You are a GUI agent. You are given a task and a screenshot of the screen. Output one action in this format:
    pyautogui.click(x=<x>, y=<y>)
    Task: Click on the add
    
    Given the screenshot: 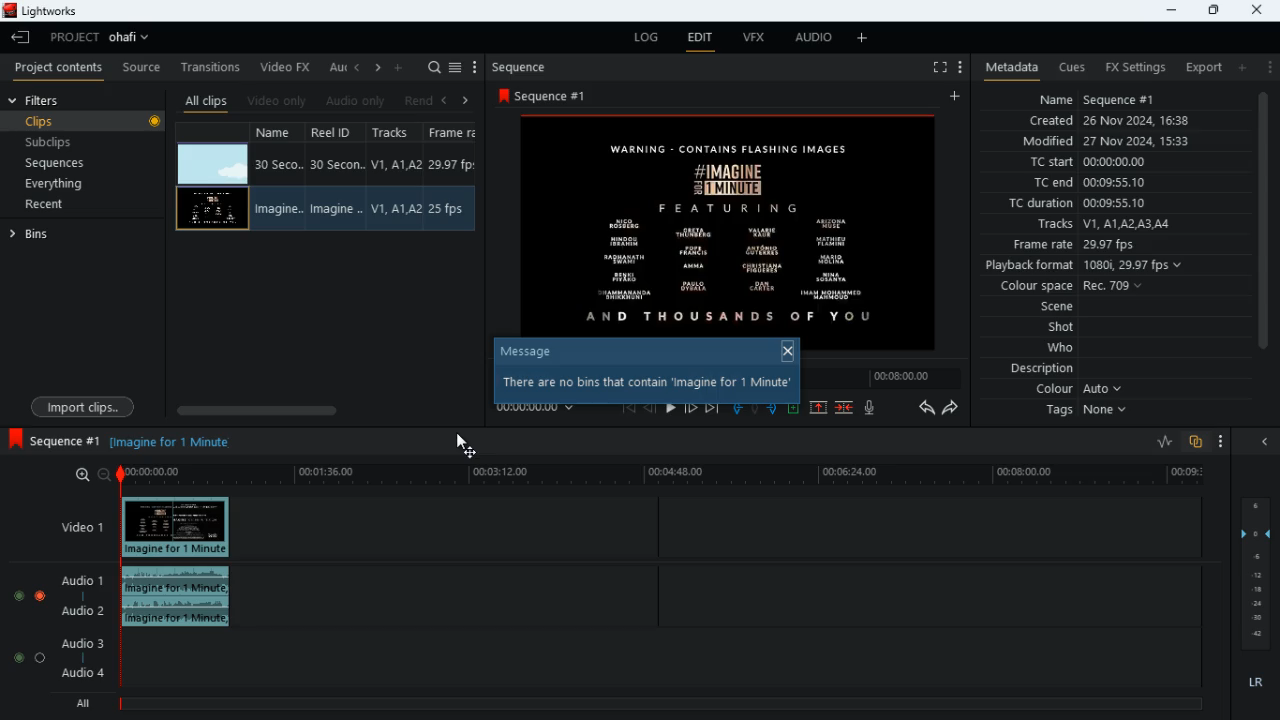 What is the action you would take?
    pyautogui.click(x=1247, y=68)
    